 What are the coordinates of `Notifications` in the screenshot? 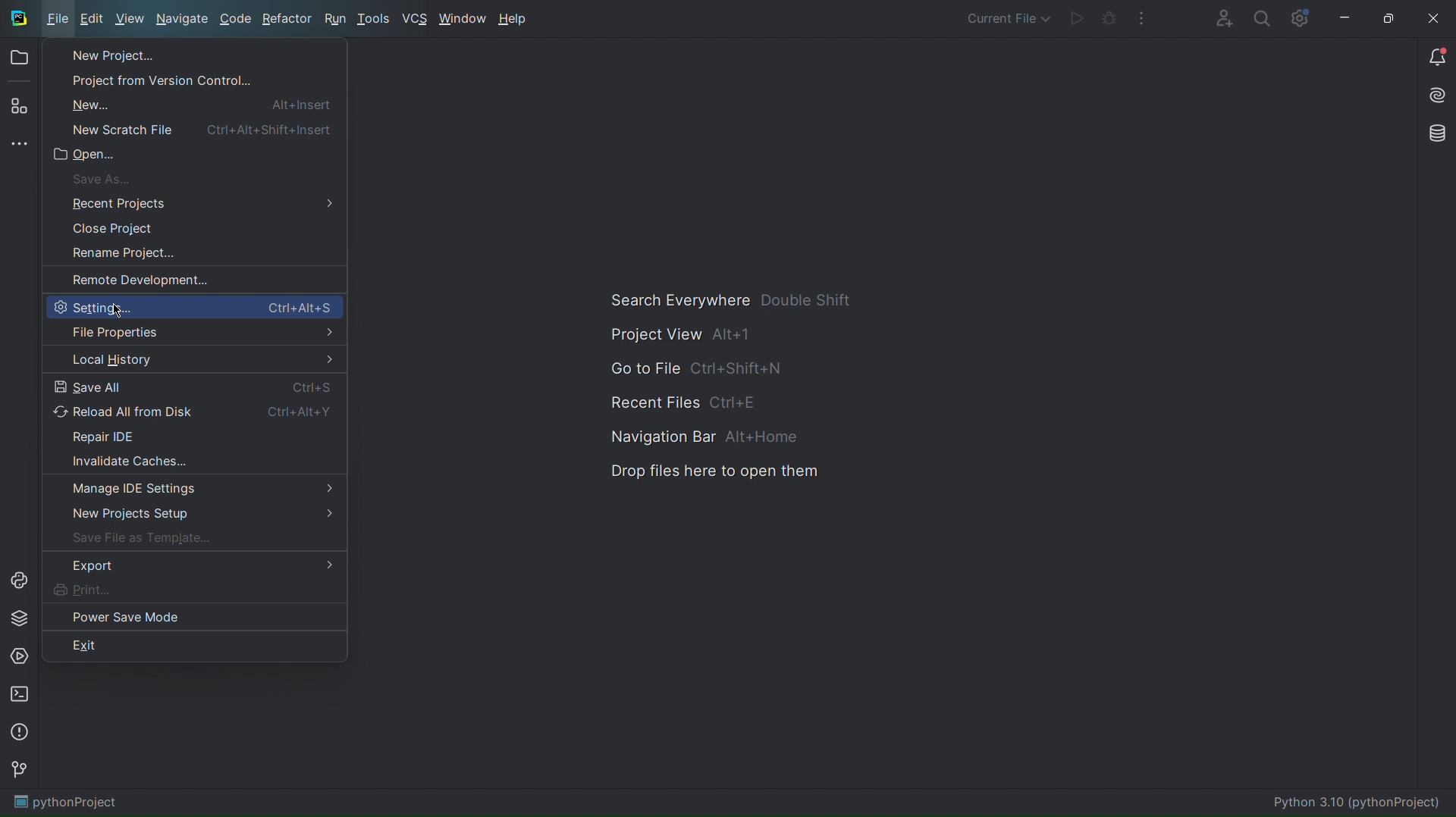 It's located at (1436, 58).